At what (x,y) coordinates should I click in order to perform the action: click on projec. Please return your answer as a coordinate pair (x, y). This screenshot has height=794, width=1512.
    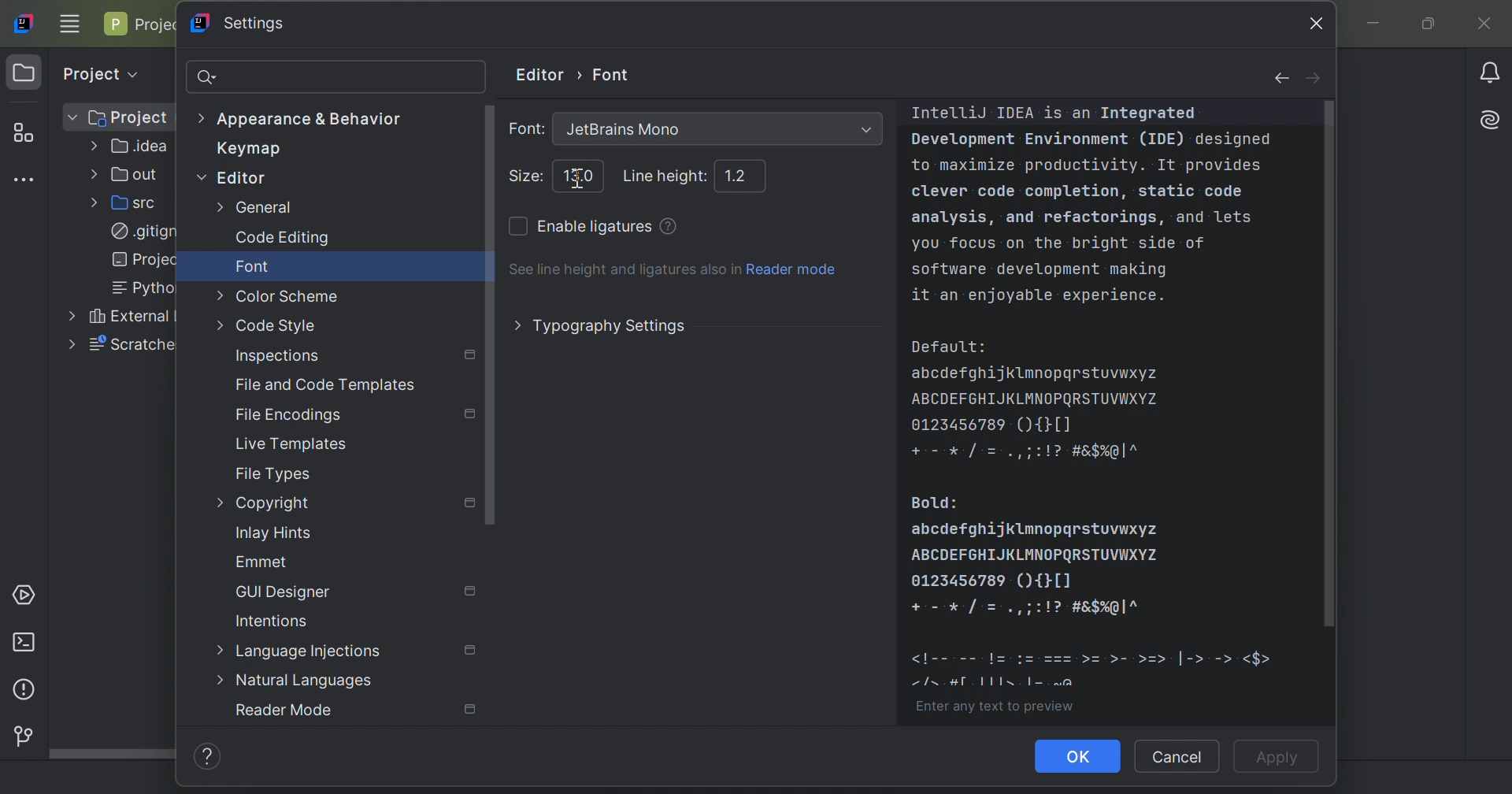
    Looking at the image, I should click on (139, 259).